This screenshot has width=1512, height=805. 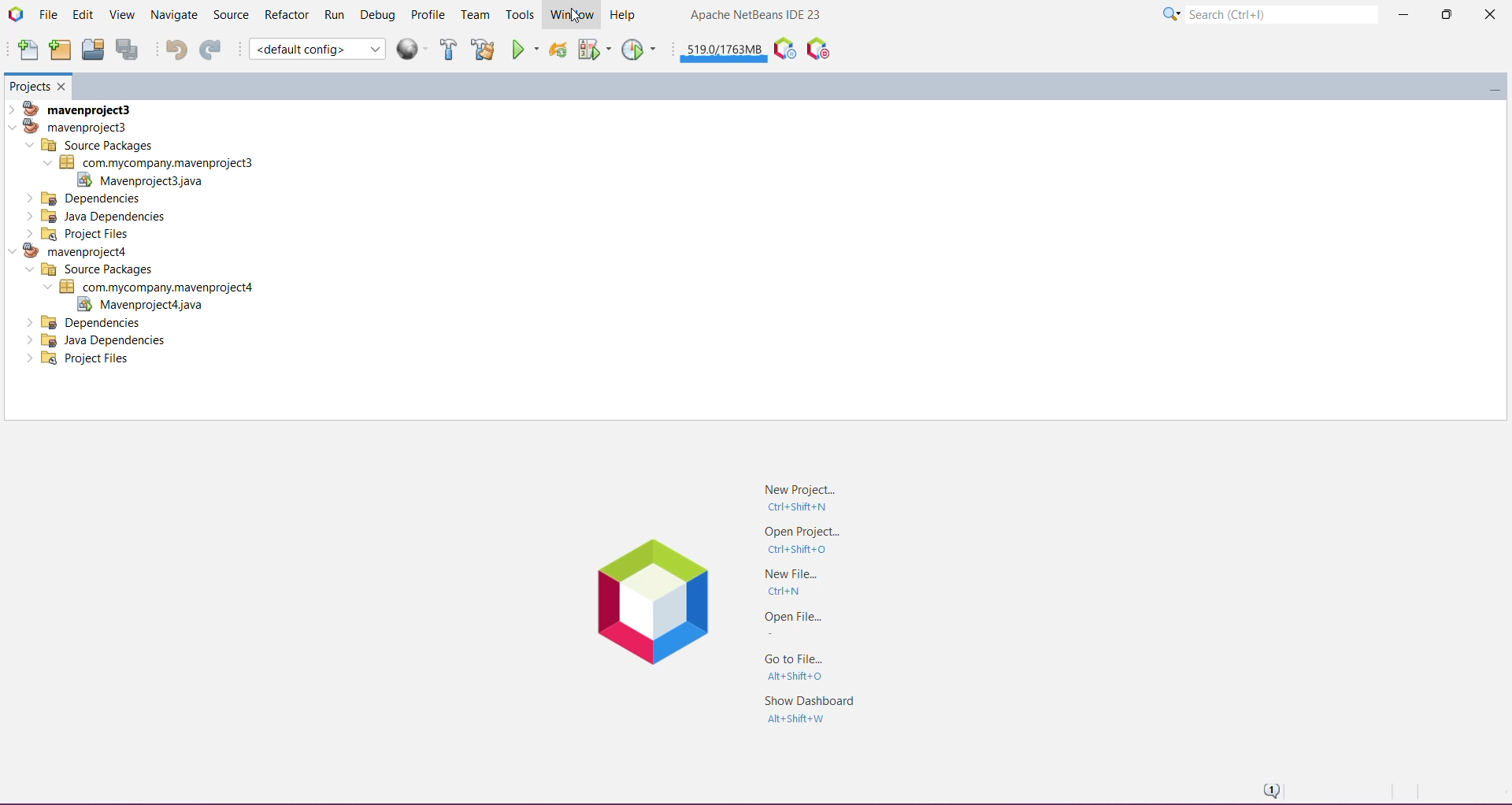 What do you see at coordinates (59, 50) in the screenshot?
I see `New Project` at bounding box center [59, 50].